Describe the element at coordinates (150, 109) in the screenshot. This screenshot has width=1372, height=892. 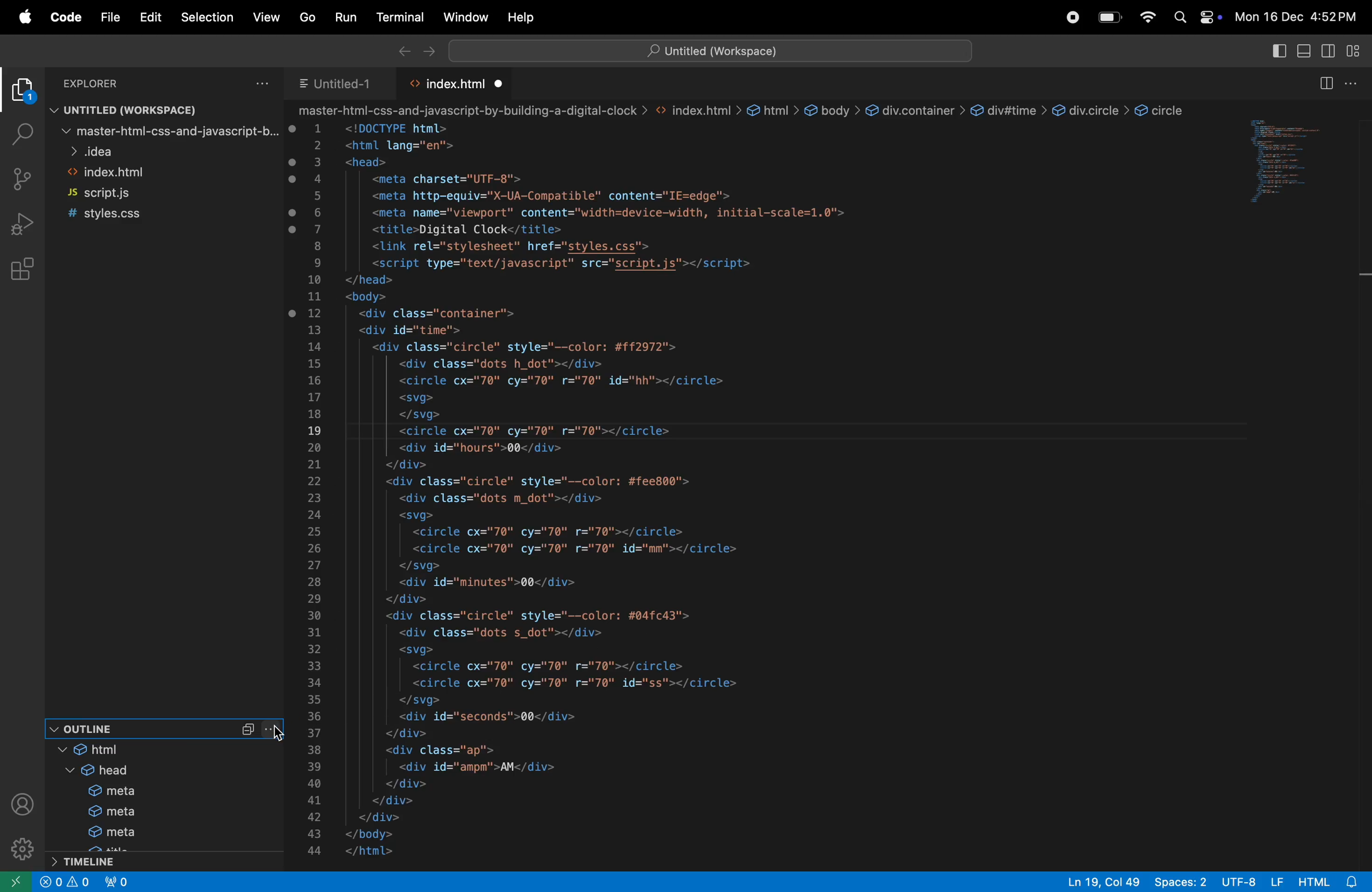
I see `untitled workspace` at that location.